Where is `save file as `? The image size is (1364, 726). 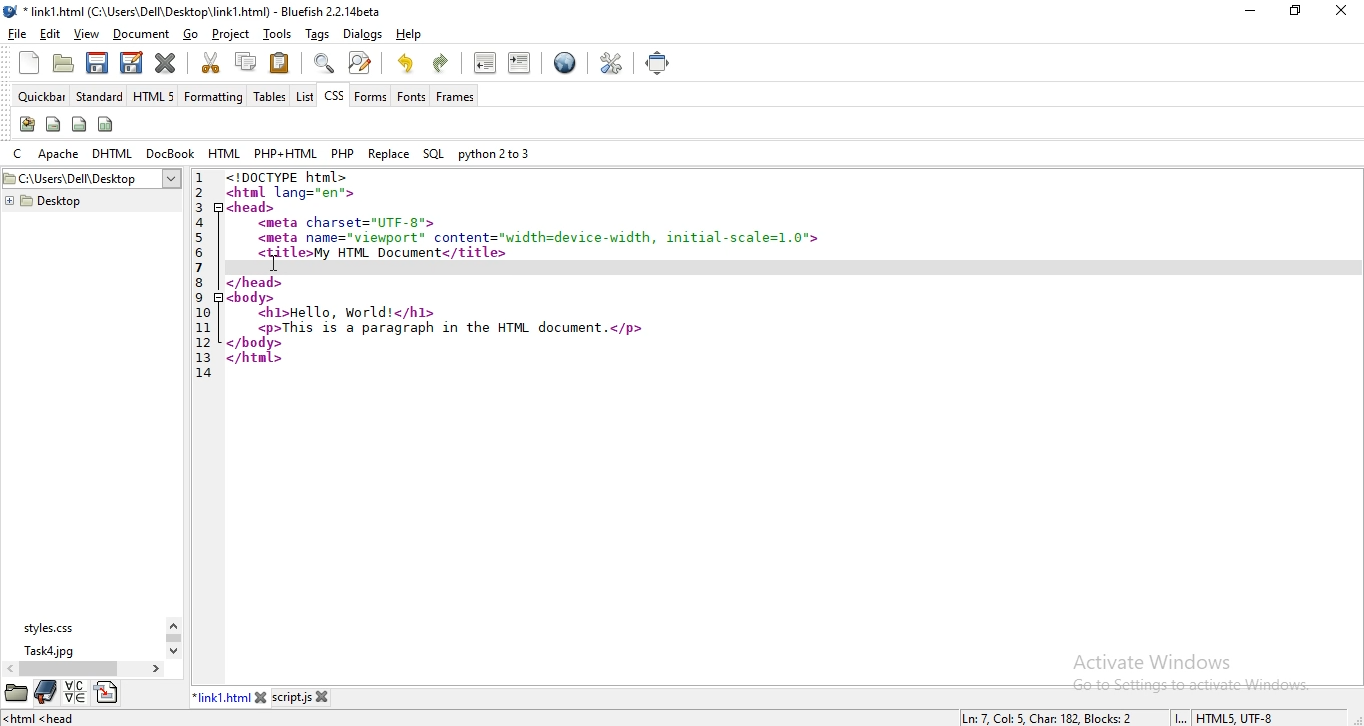
save file as  is located at coordinates (130, 63).